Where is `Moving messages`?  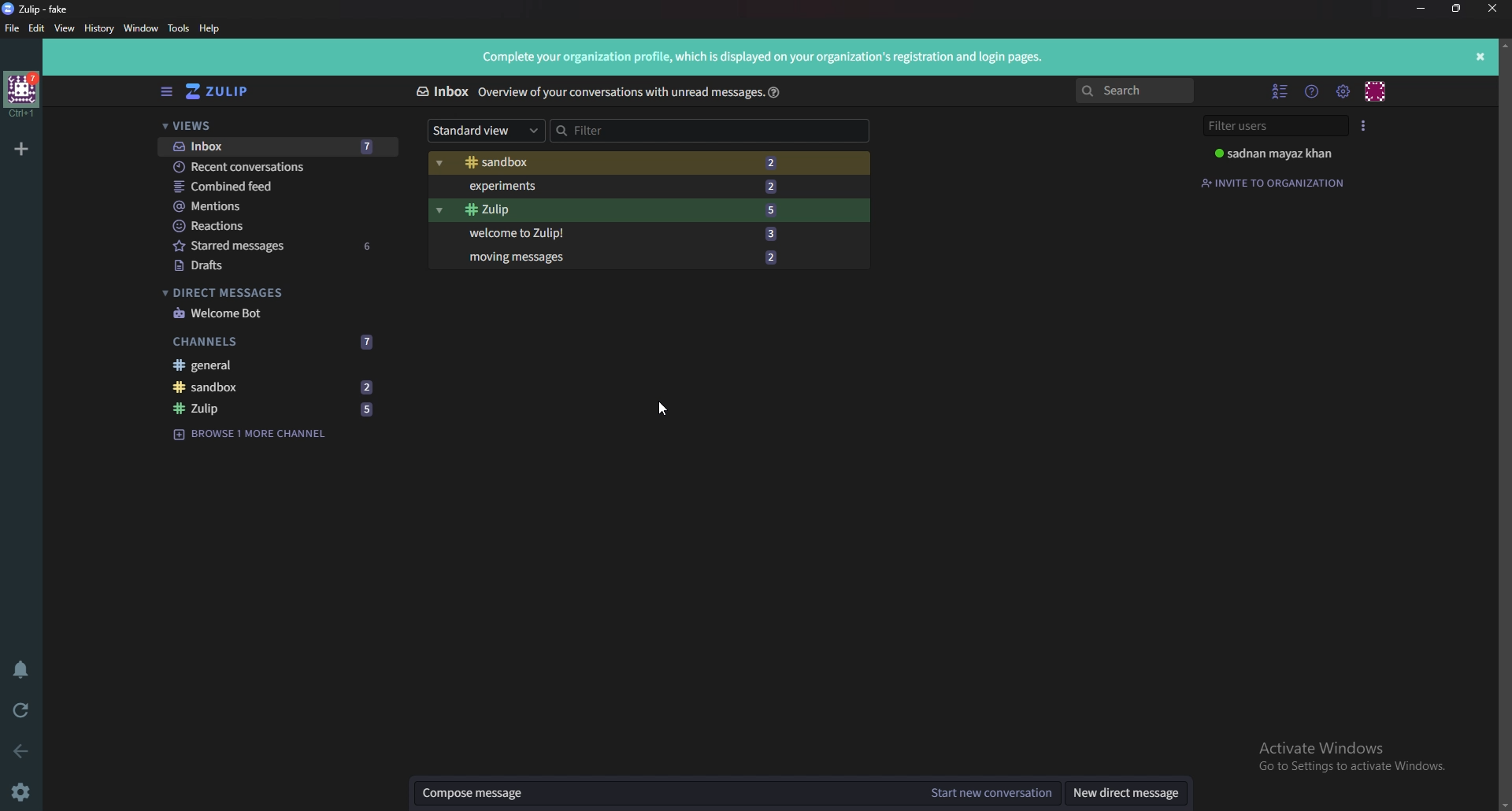 Moving messages is located at coordinates (629, 257).